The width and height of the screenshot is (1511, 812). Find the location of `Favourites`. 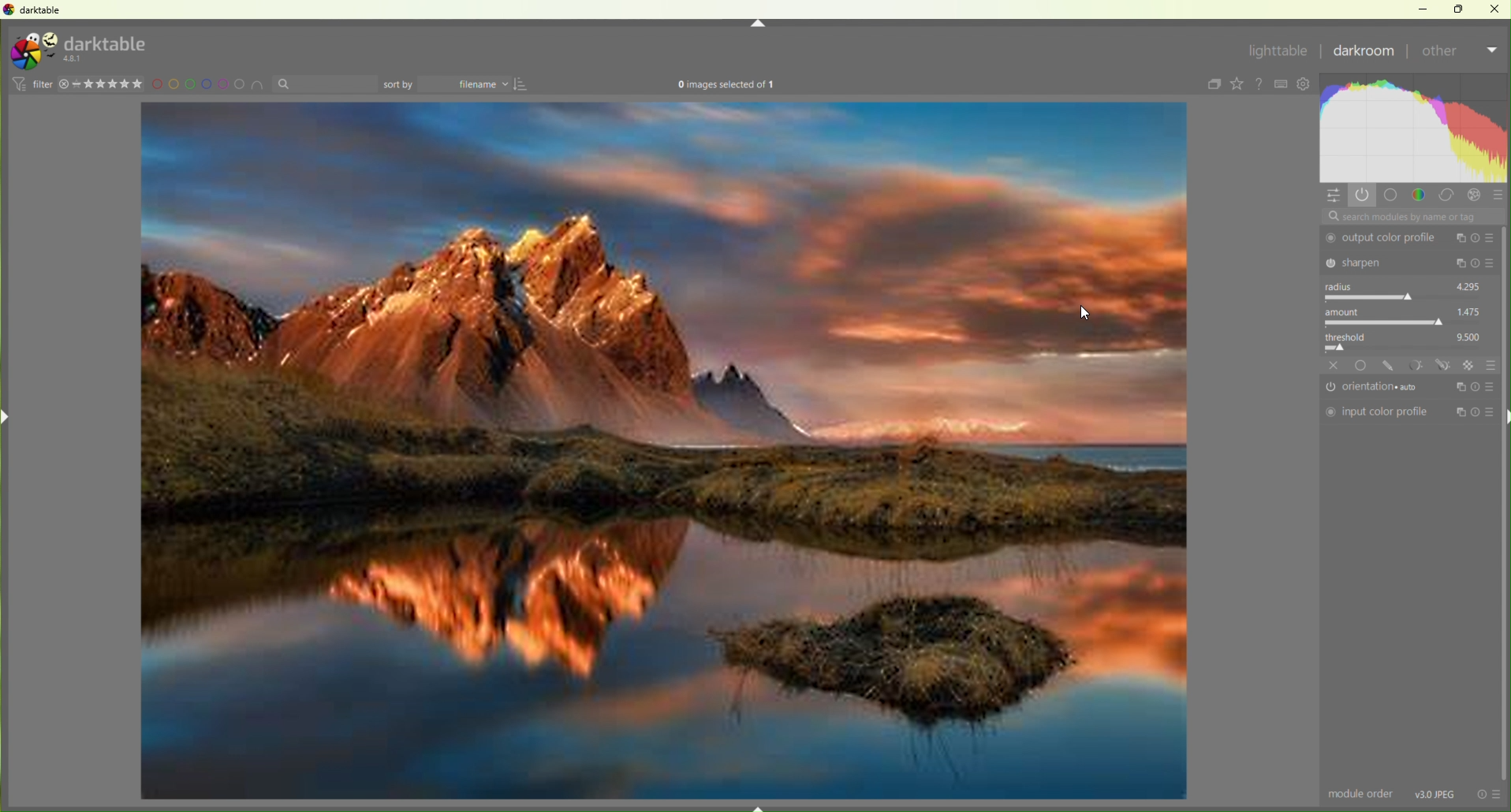

Favourites is located at coordinates (1237, 84).